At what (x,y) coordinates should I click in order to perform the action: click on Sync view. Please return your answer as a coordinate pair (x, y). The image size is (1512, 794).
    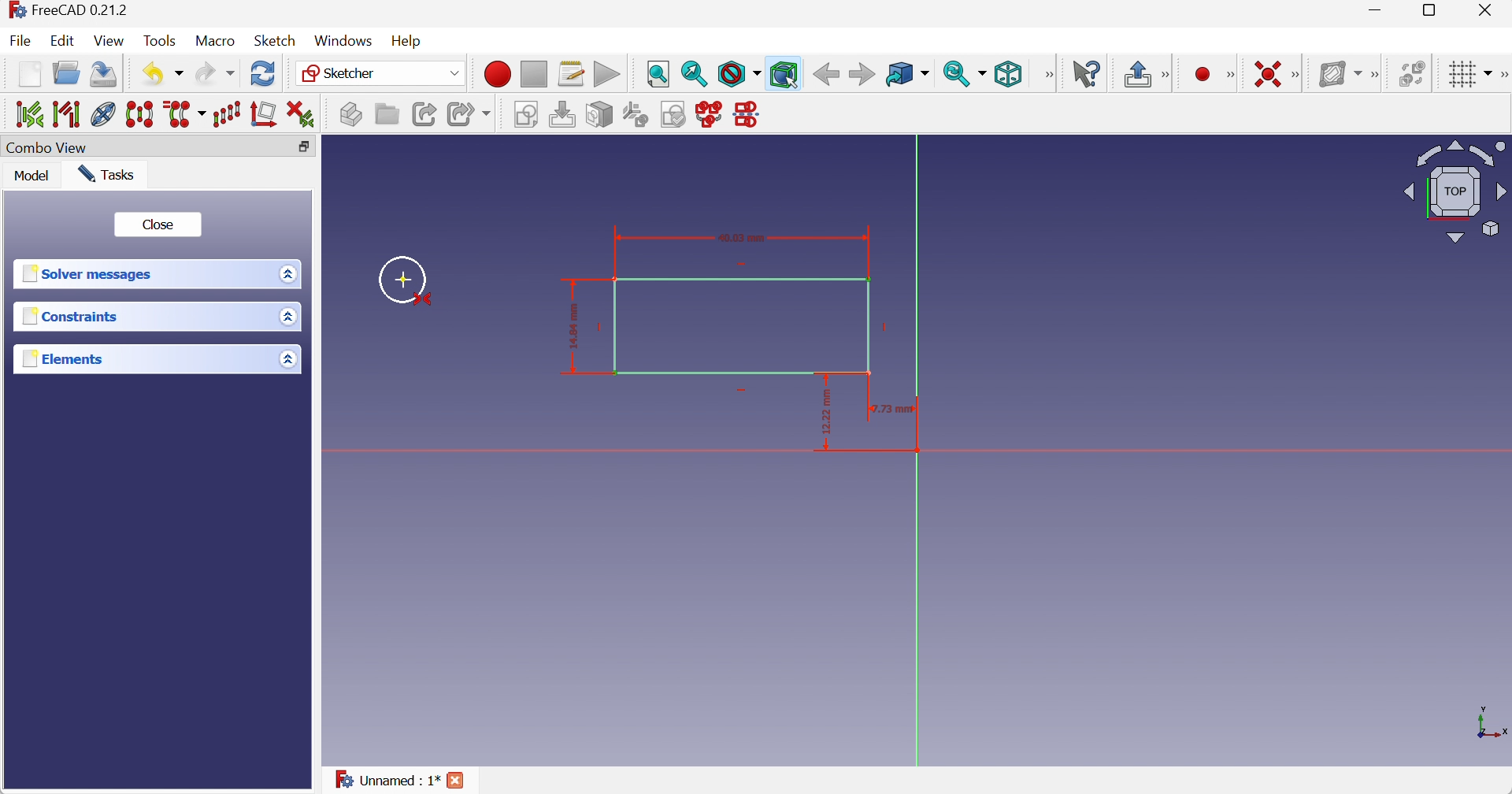
    Looking at the image, I should click on (965, 74).